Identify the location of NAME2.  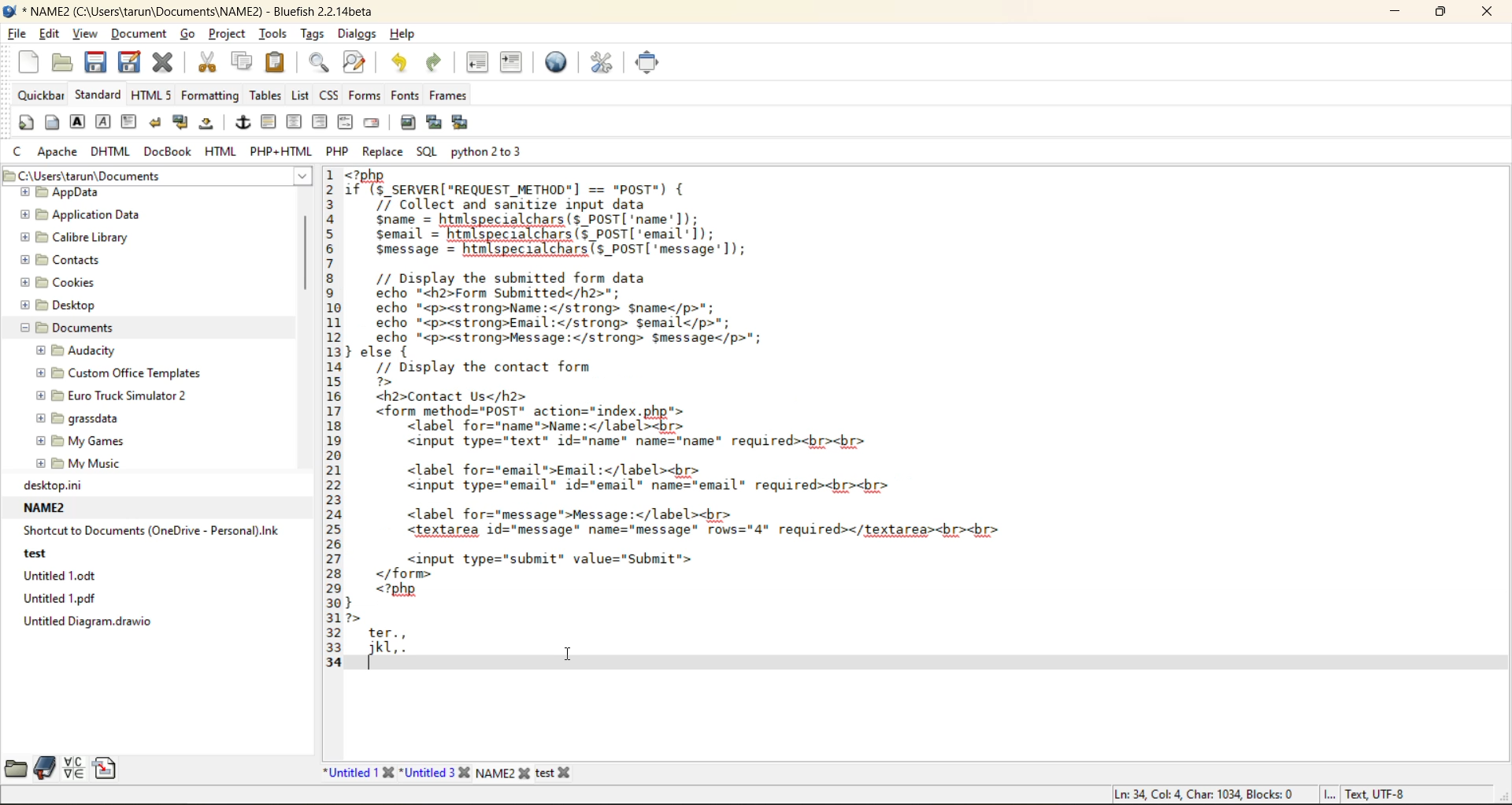
(506, 772).